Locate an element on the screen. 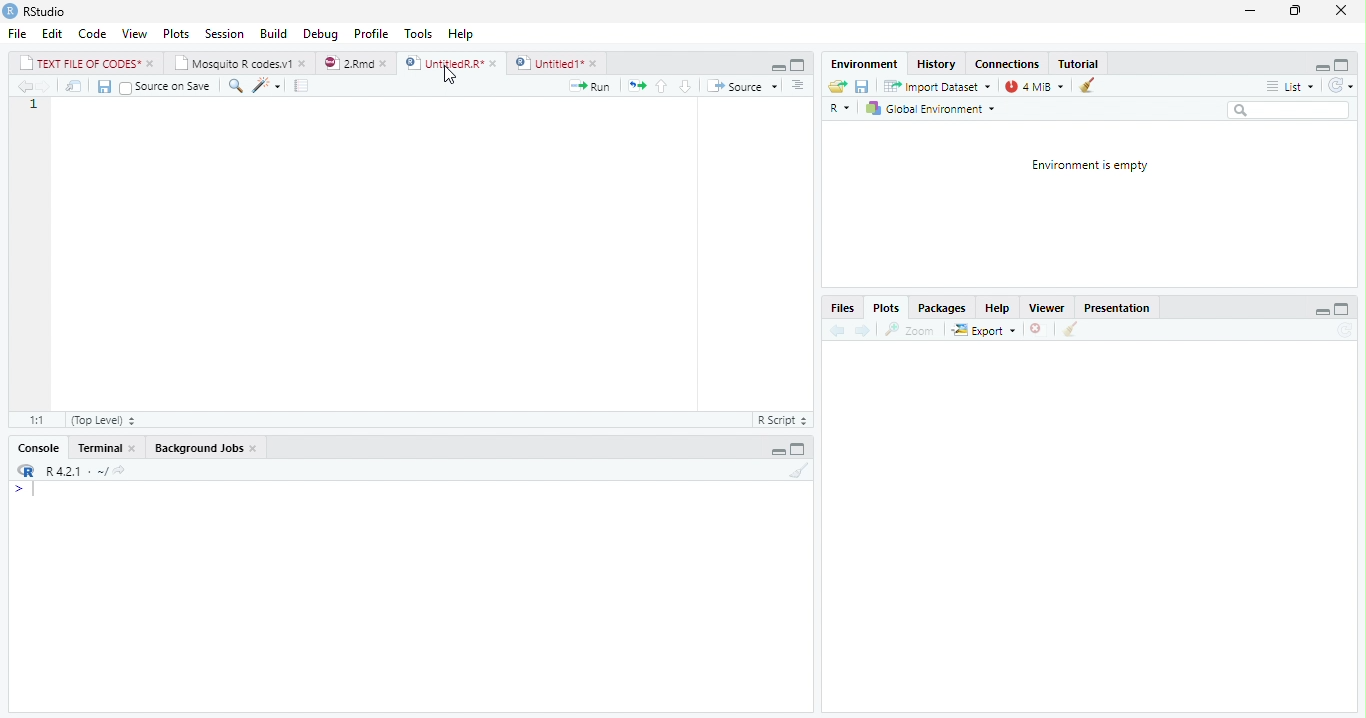 The height and width of the screenshot is (718, 1366). maximize is located at coordinates (1295, 13).